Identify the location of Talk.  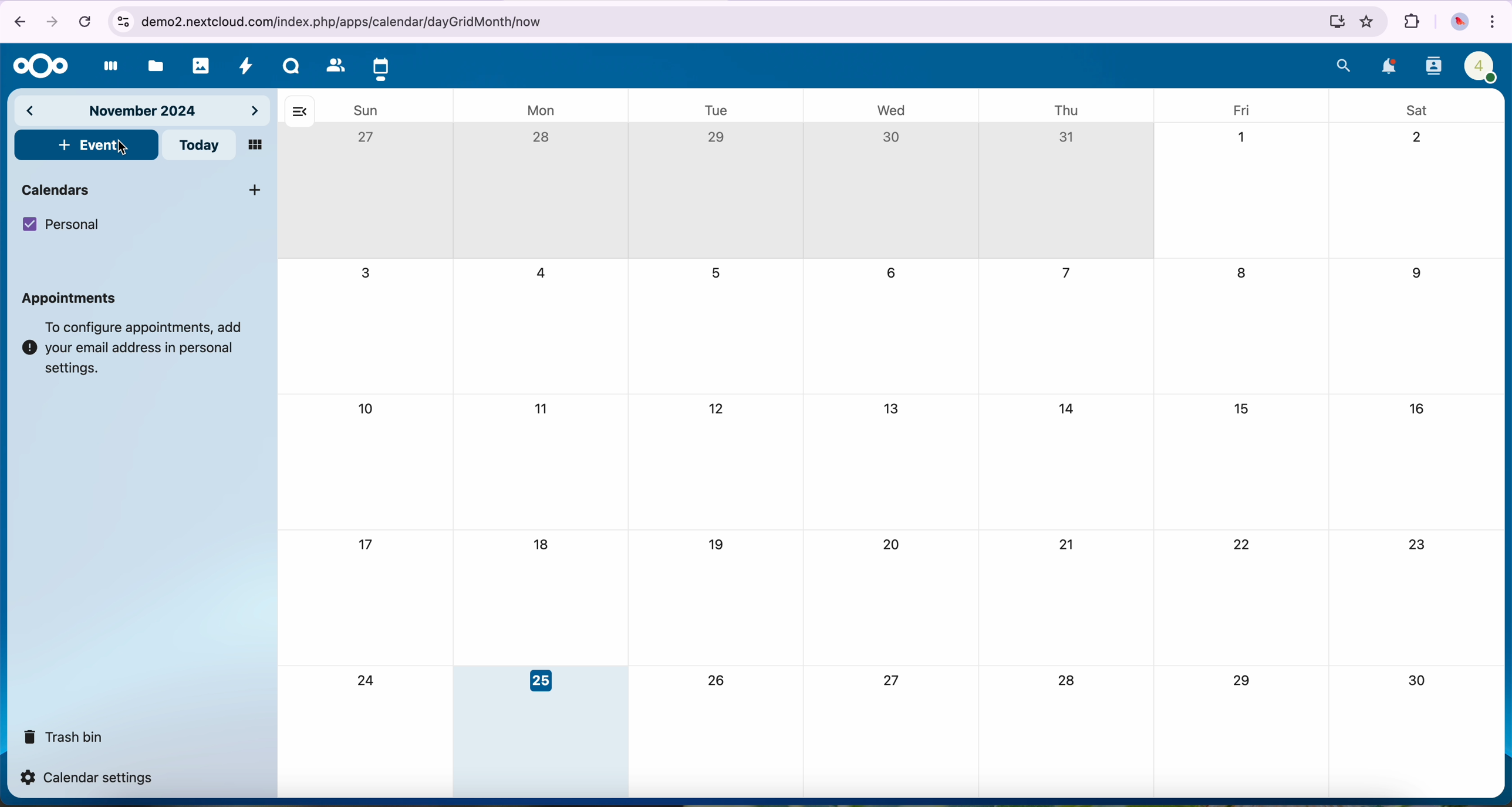
(291, 66).